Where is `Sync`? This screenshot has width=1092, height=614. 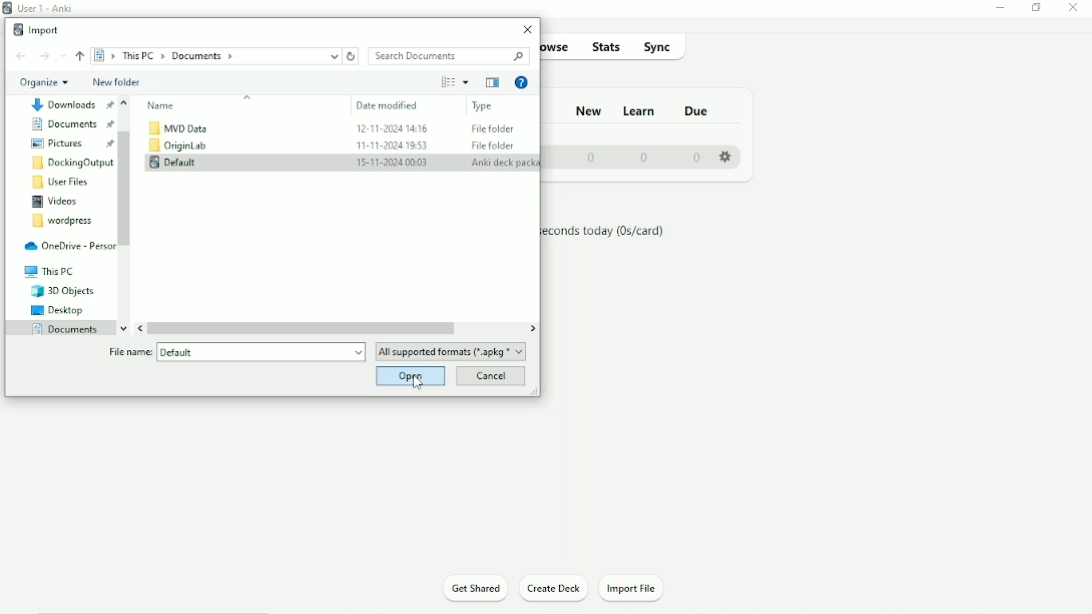 Sync is located at coordinates (662, 47).